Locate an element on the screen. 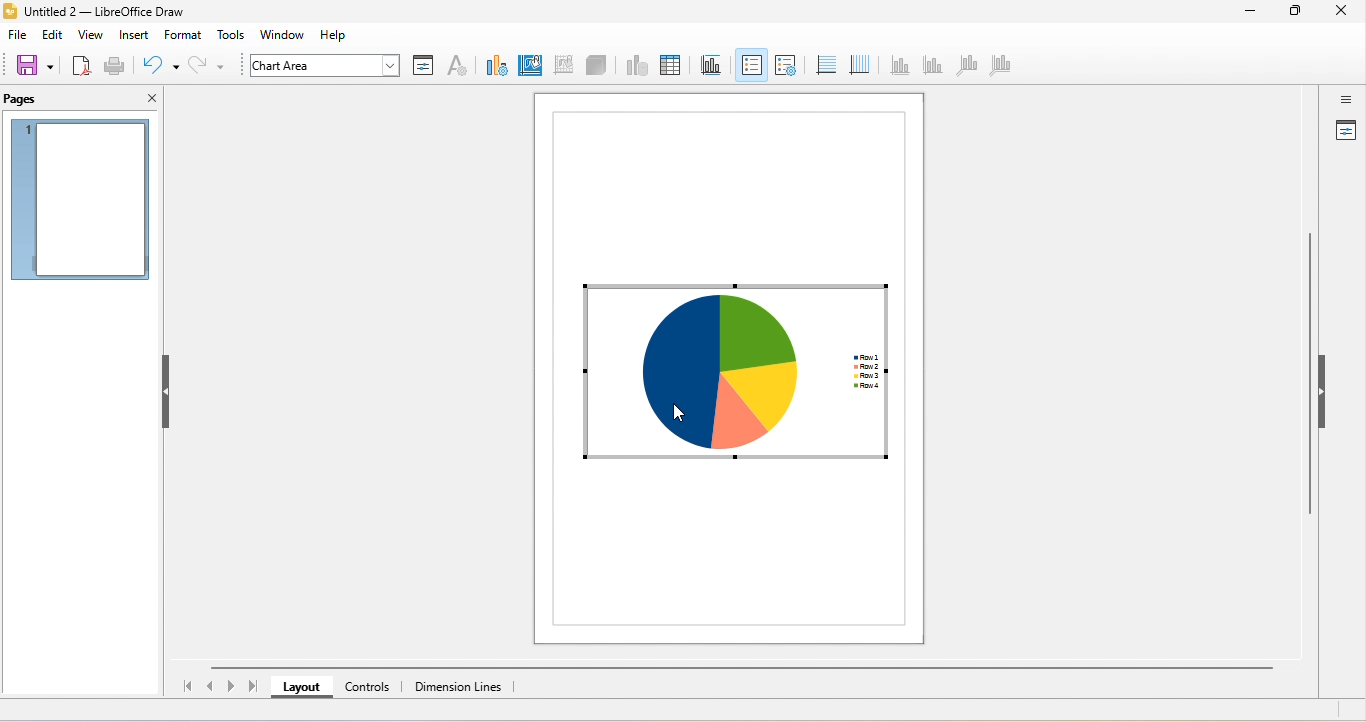 The width and height of the screenshot is (1366, 722). vertical scroll bar is located at coordinates (1310, 380).